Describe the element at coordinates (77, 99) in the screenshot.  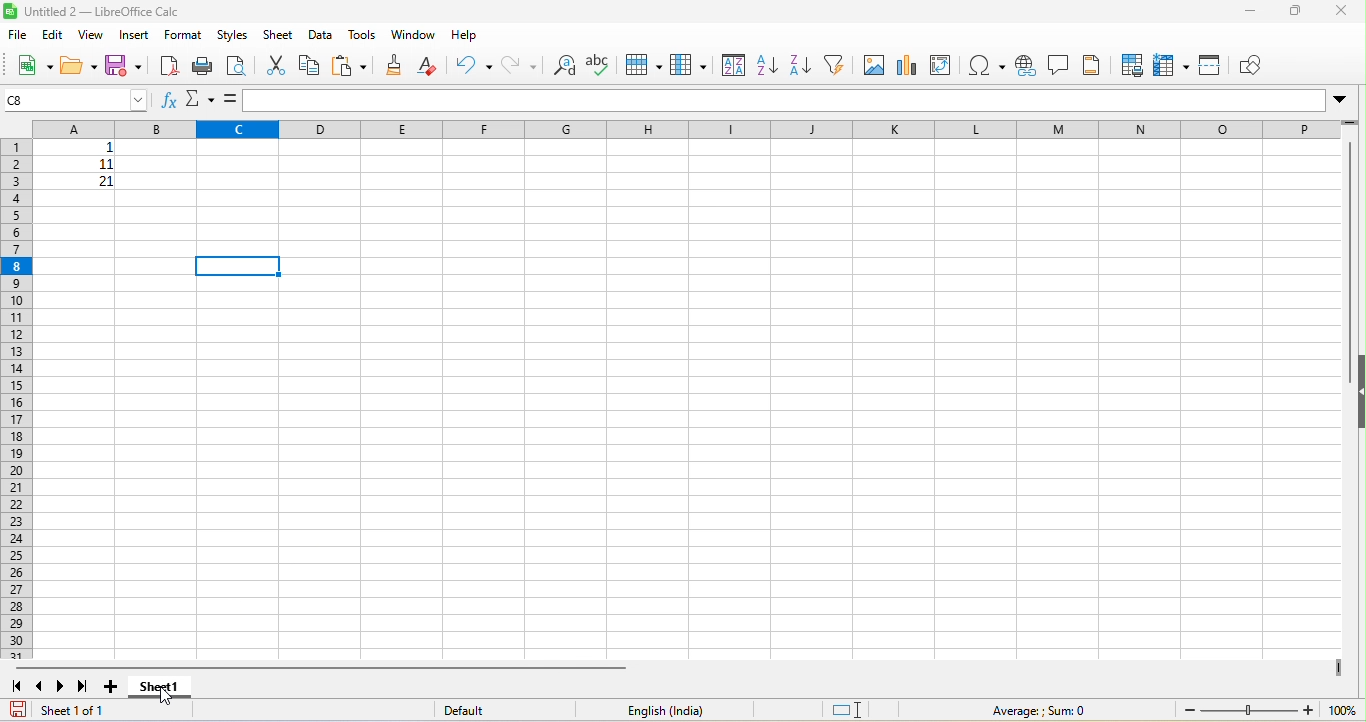
I see `selected cell number` at that location.